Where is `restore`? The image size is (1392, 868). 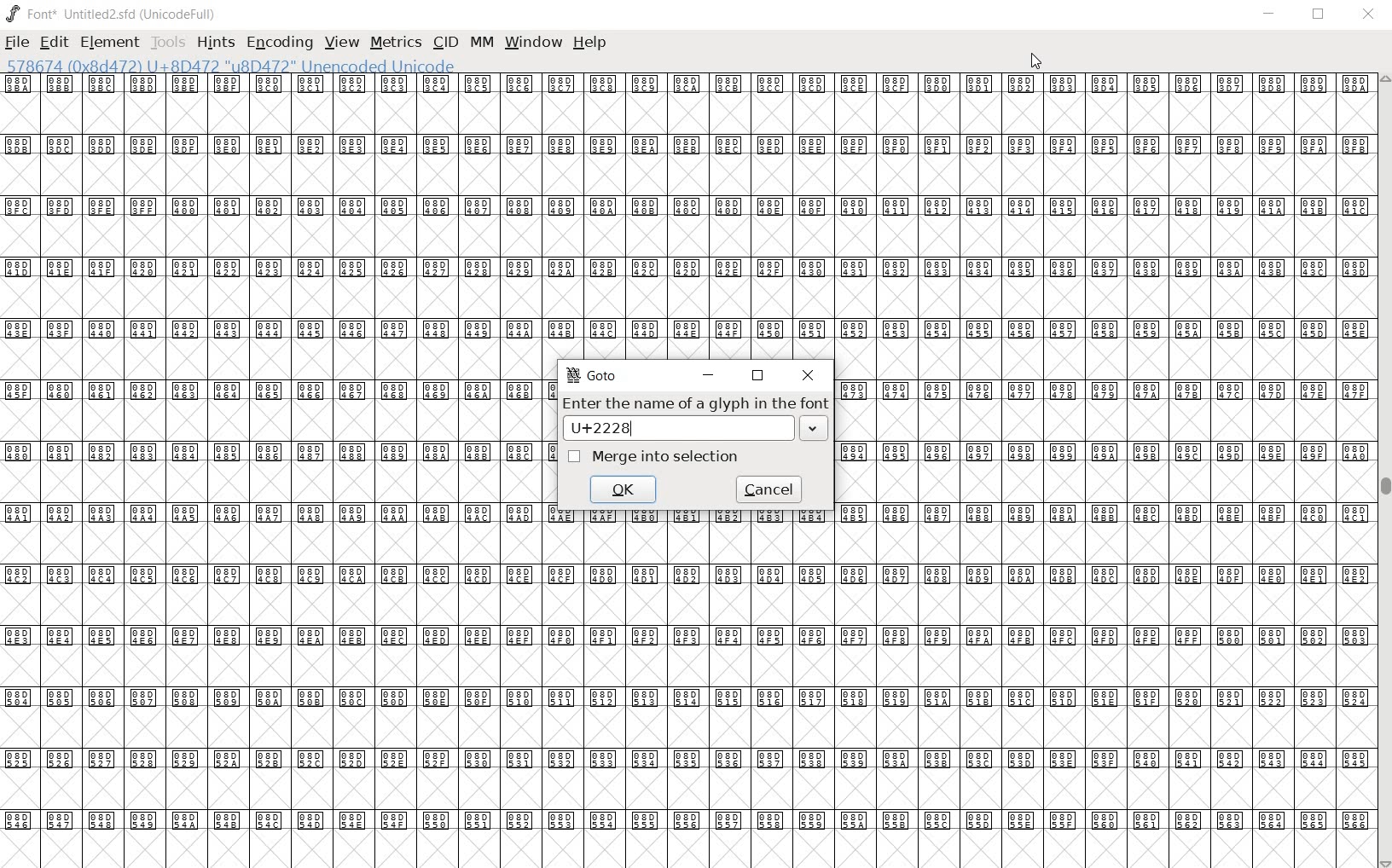 restore is located at coordinates (757, 376).